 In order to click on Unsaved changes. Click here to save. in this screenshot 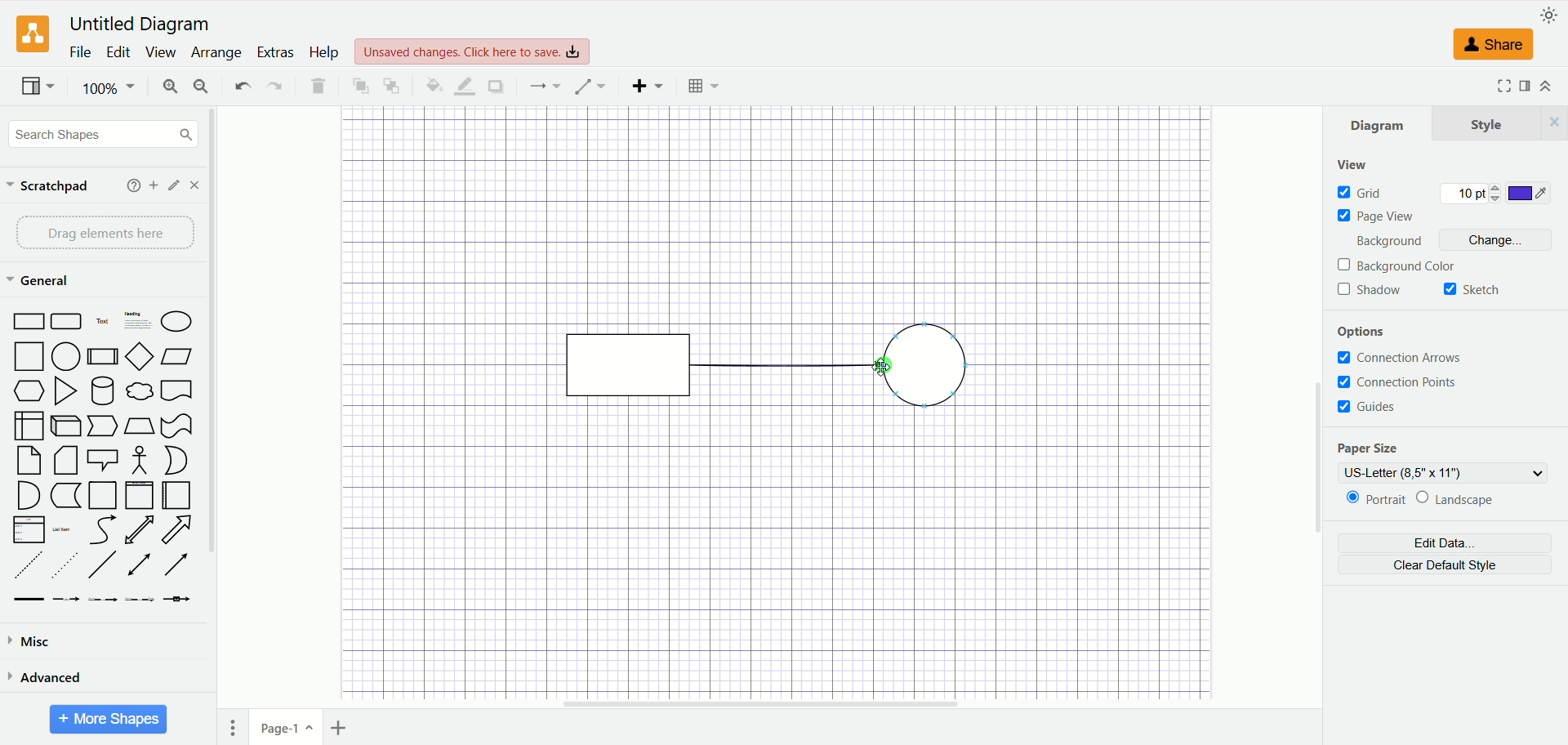, I will do `click(474, 51)`.